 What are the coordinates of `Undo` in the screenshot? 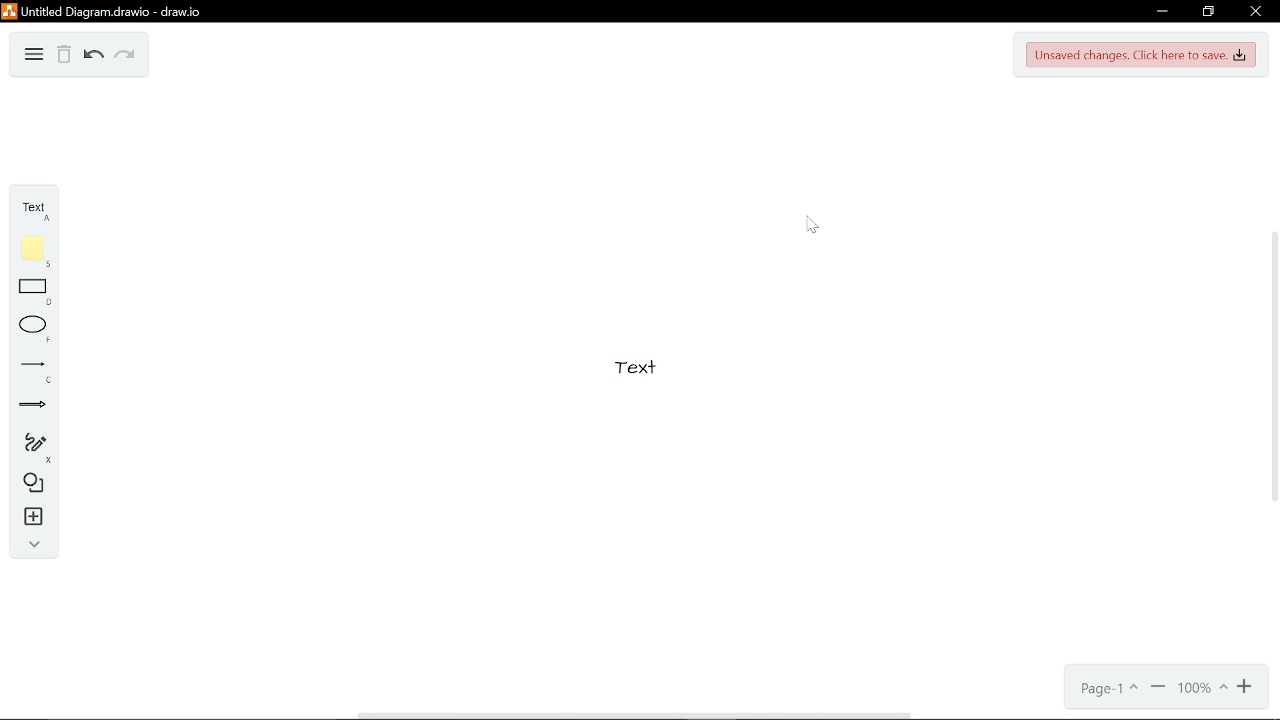 It's located at (93, 56).